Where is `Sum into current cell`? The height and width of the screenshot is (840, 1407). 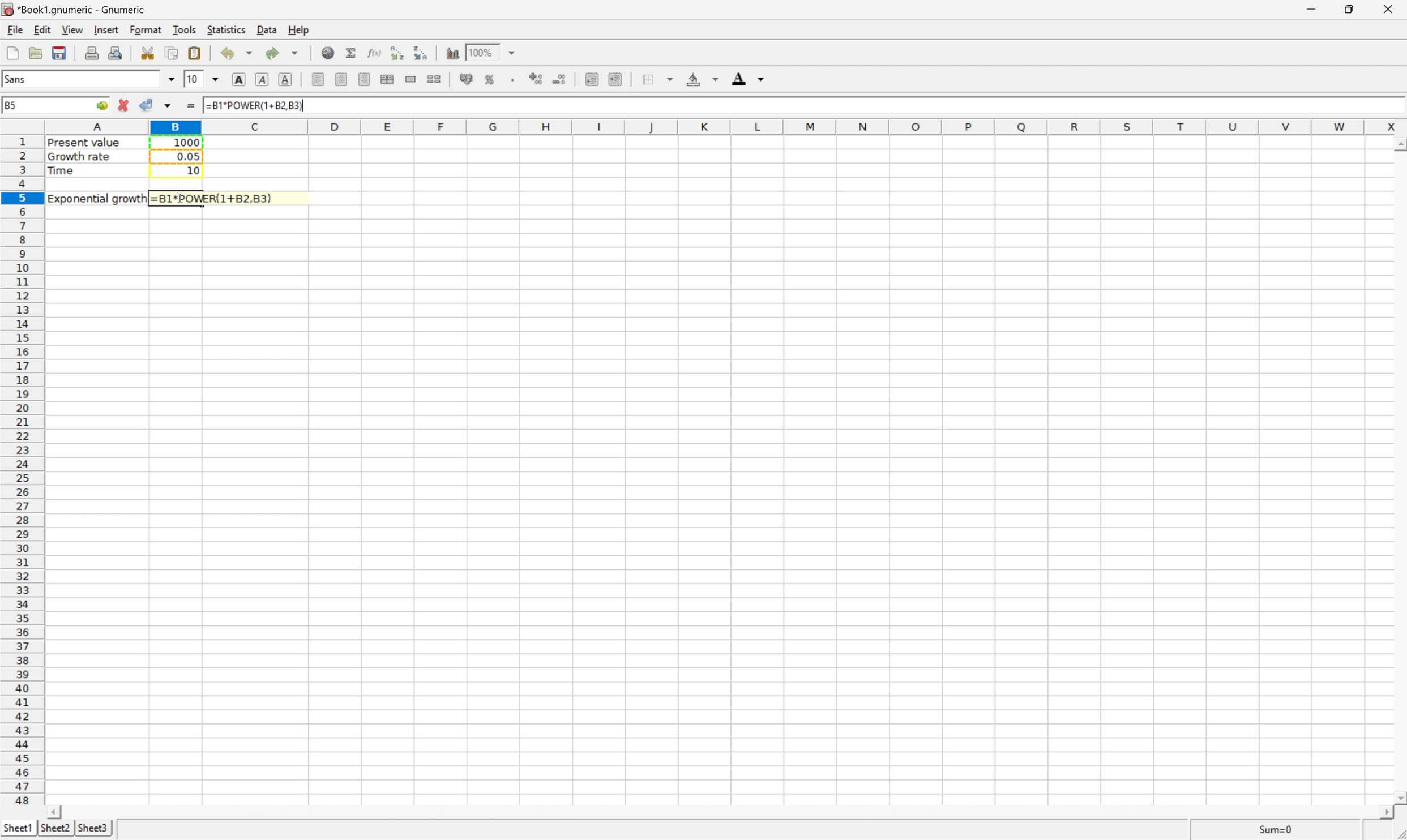 Sum into current cell is located at coordinates (351, 52).